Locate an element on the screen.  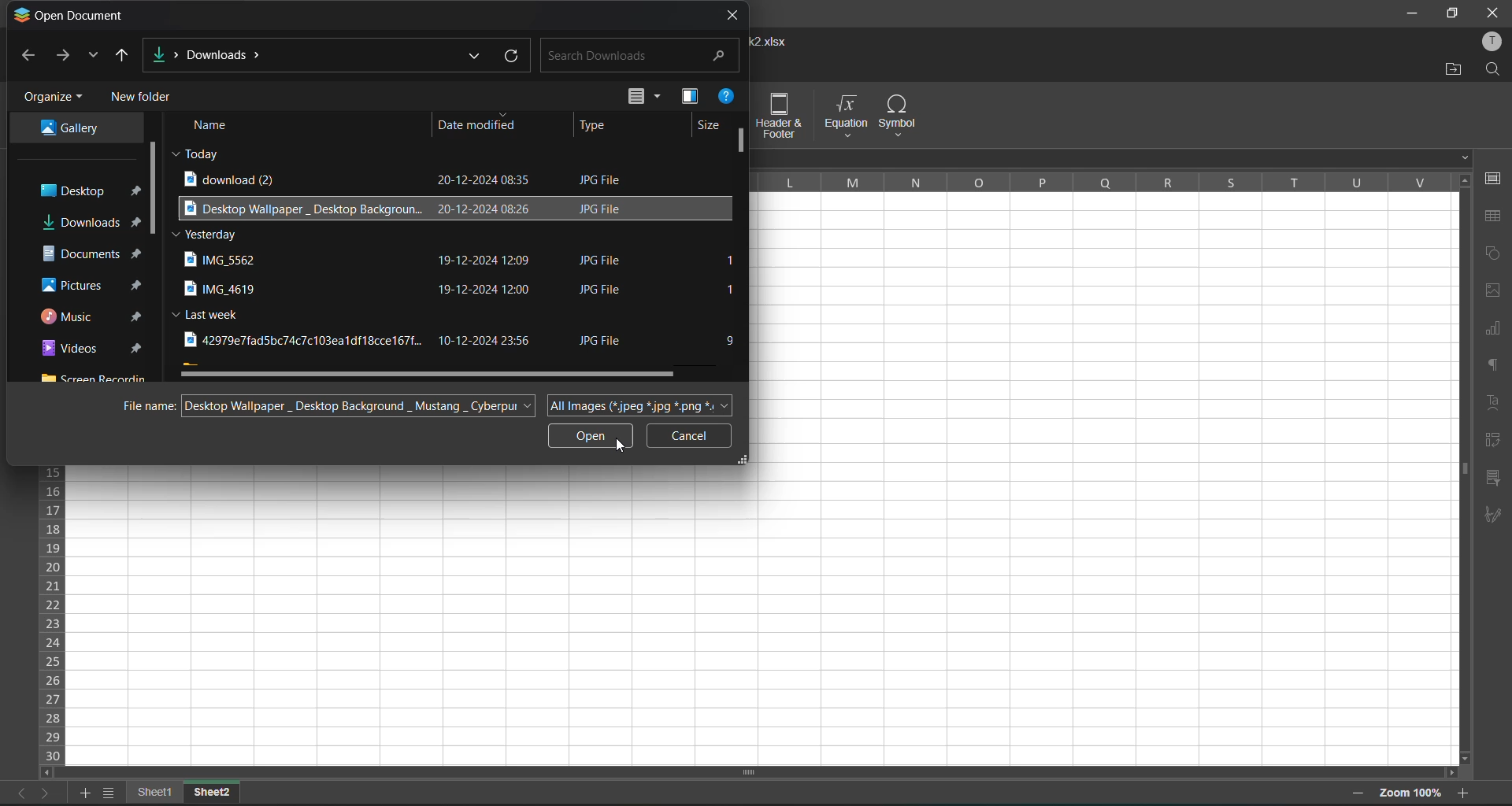
profile is located at coordinates (1493, 40).